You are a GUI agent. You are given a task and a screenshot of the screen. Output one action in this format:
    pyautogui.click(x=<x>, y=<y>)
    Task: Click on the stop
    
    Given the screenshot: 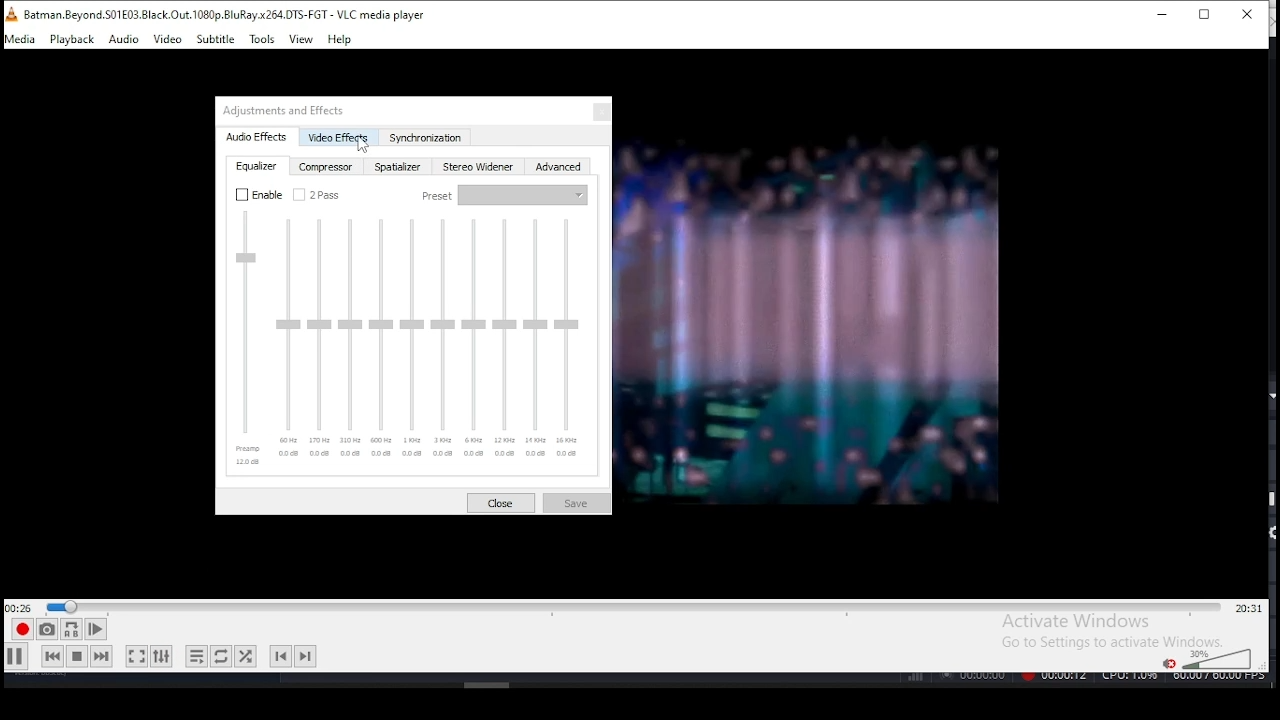 What is the action you would take?
    pyautogui.click(x=76, y=656)
    